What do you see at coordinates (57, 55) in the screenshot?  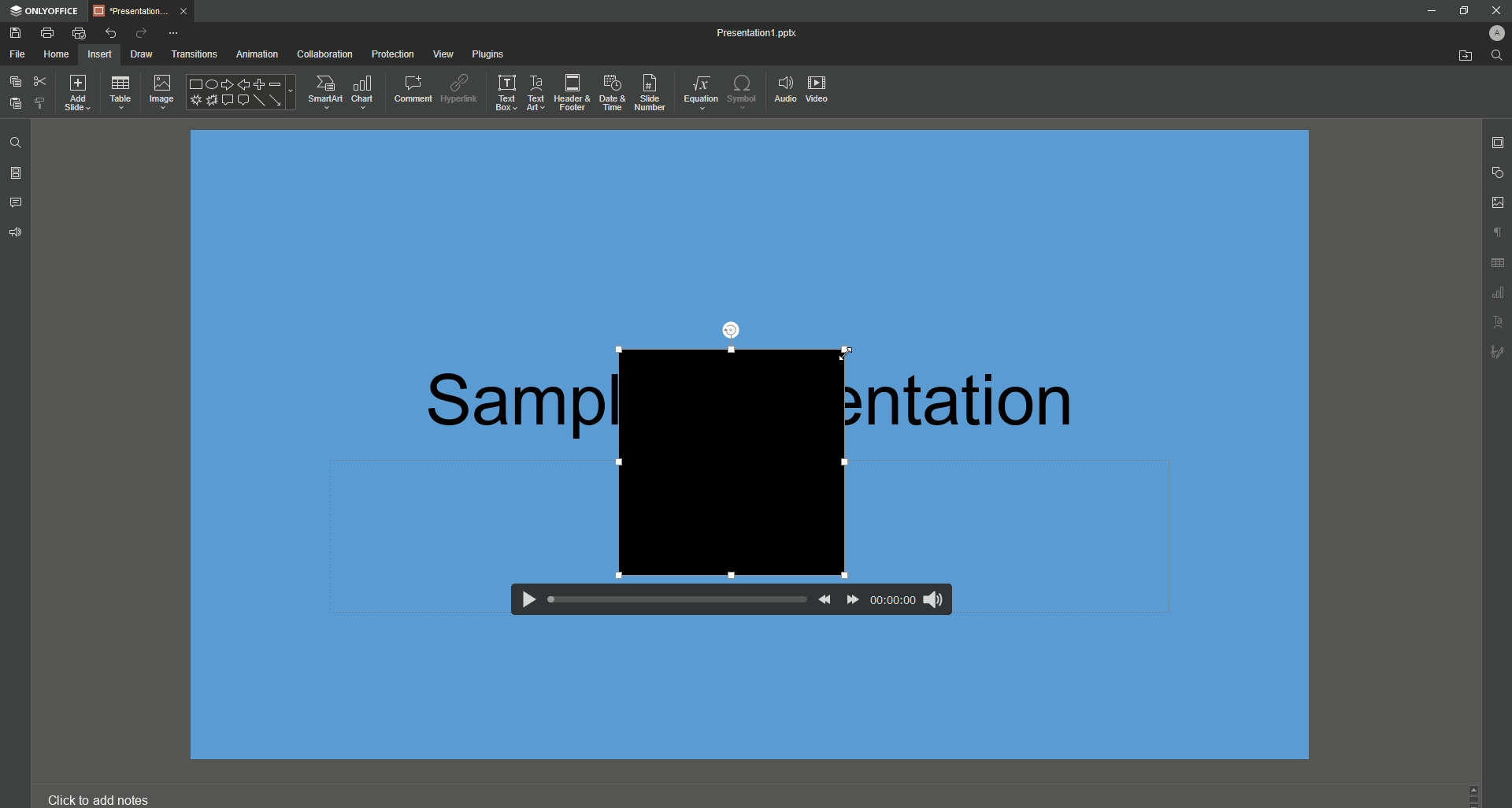 I see `Home` at bounding box center [57, 55].